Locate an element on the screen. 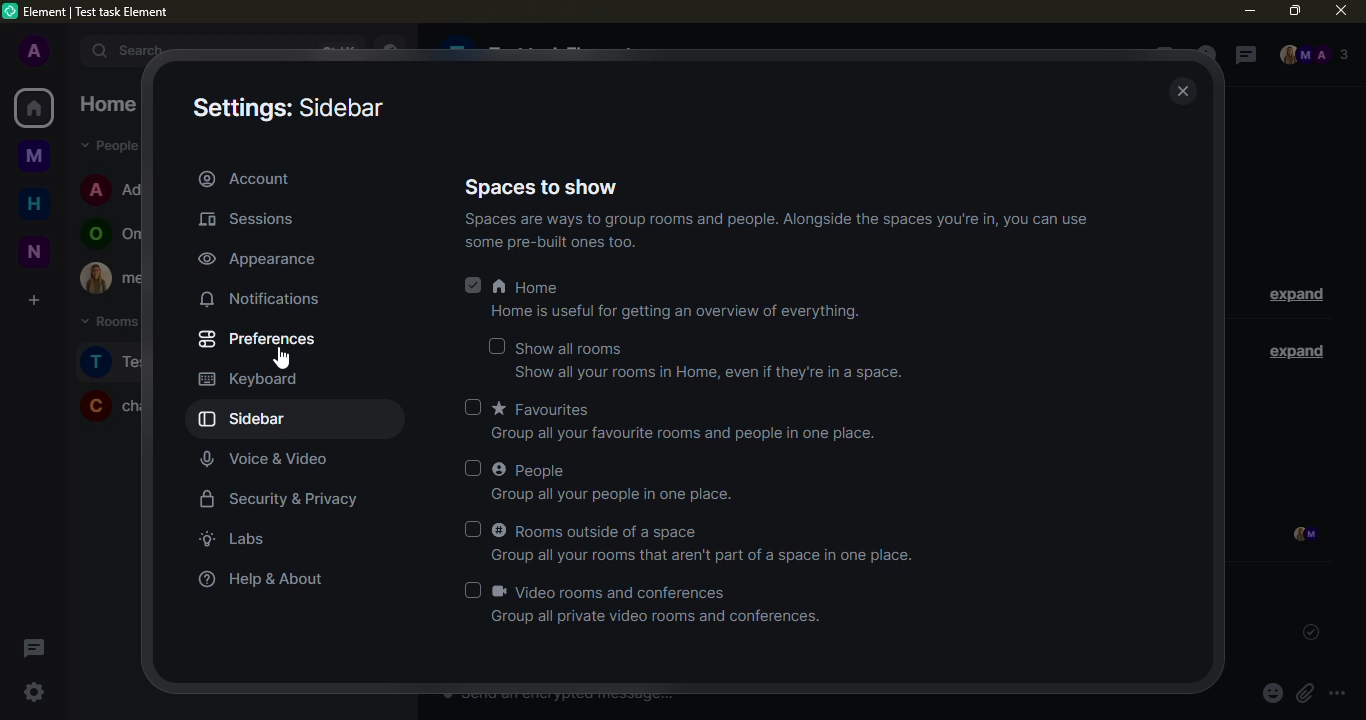 The image size is (1366, 720). security is located at coordinates (280, 501).